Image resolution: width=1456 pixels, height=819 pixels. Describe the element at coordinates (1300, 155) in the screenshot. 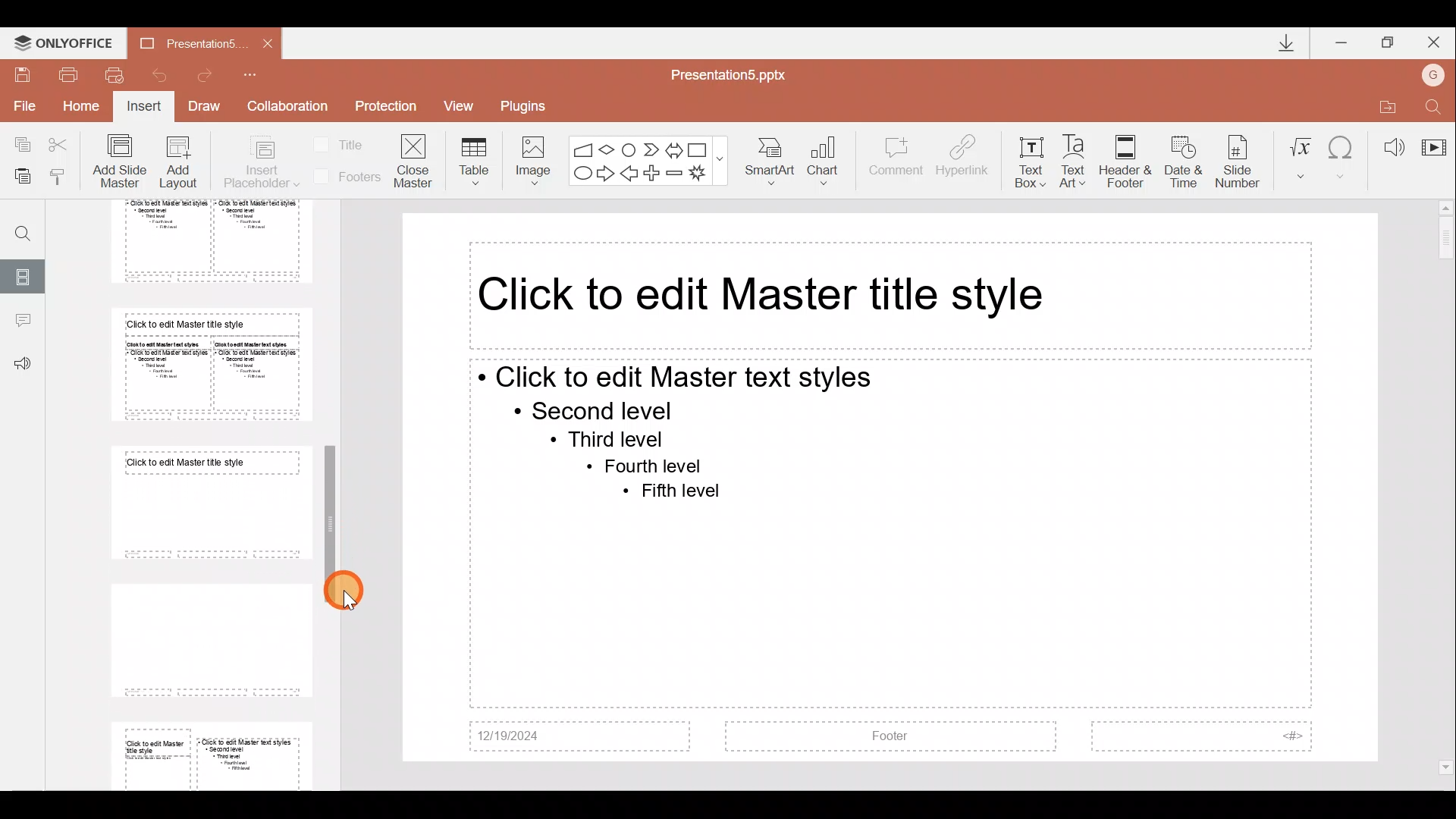

I see `Equation` at that location.